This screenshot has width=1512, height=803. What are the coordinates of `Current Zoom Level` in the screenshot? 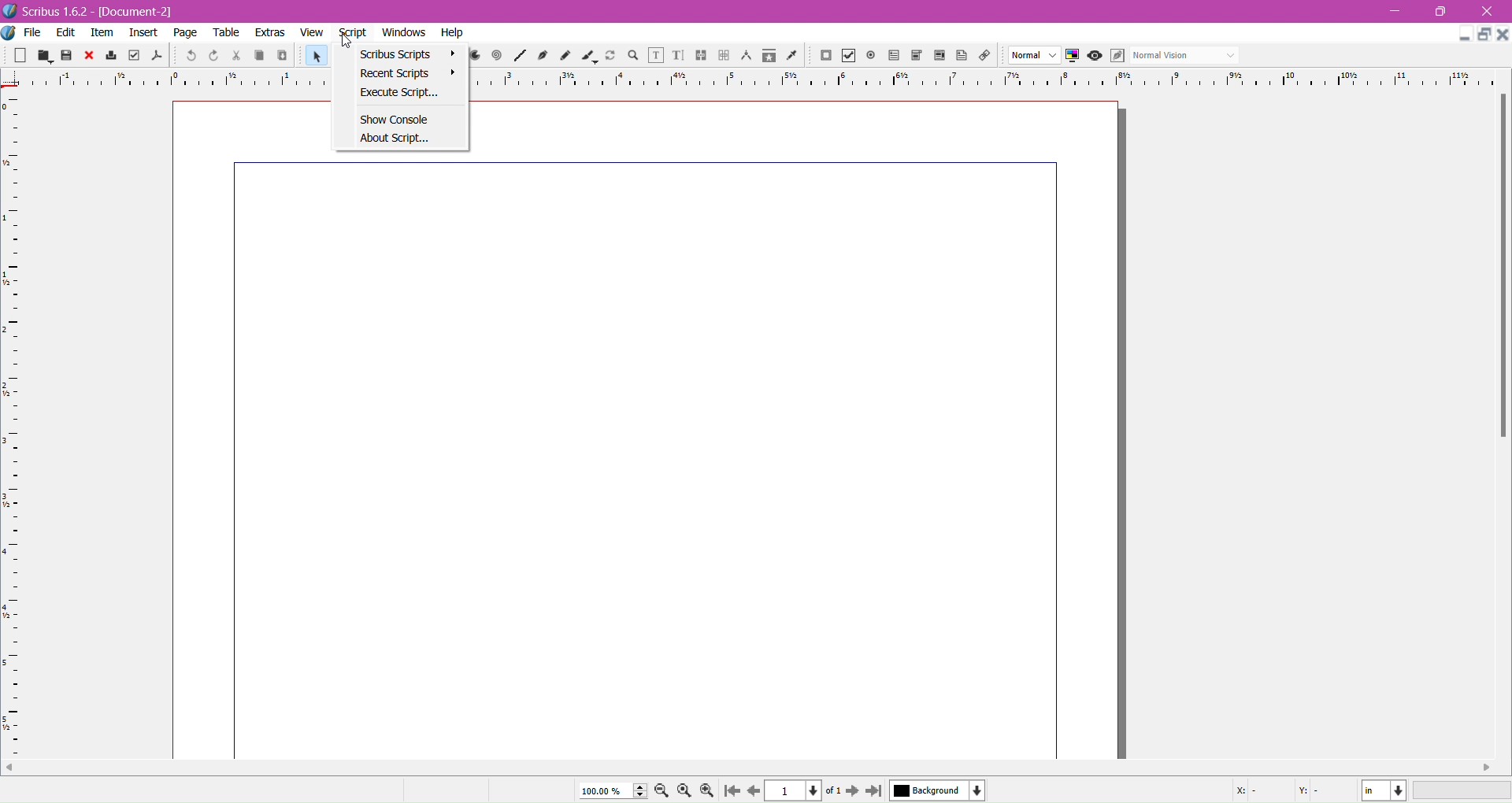 It's located at (610, 790).